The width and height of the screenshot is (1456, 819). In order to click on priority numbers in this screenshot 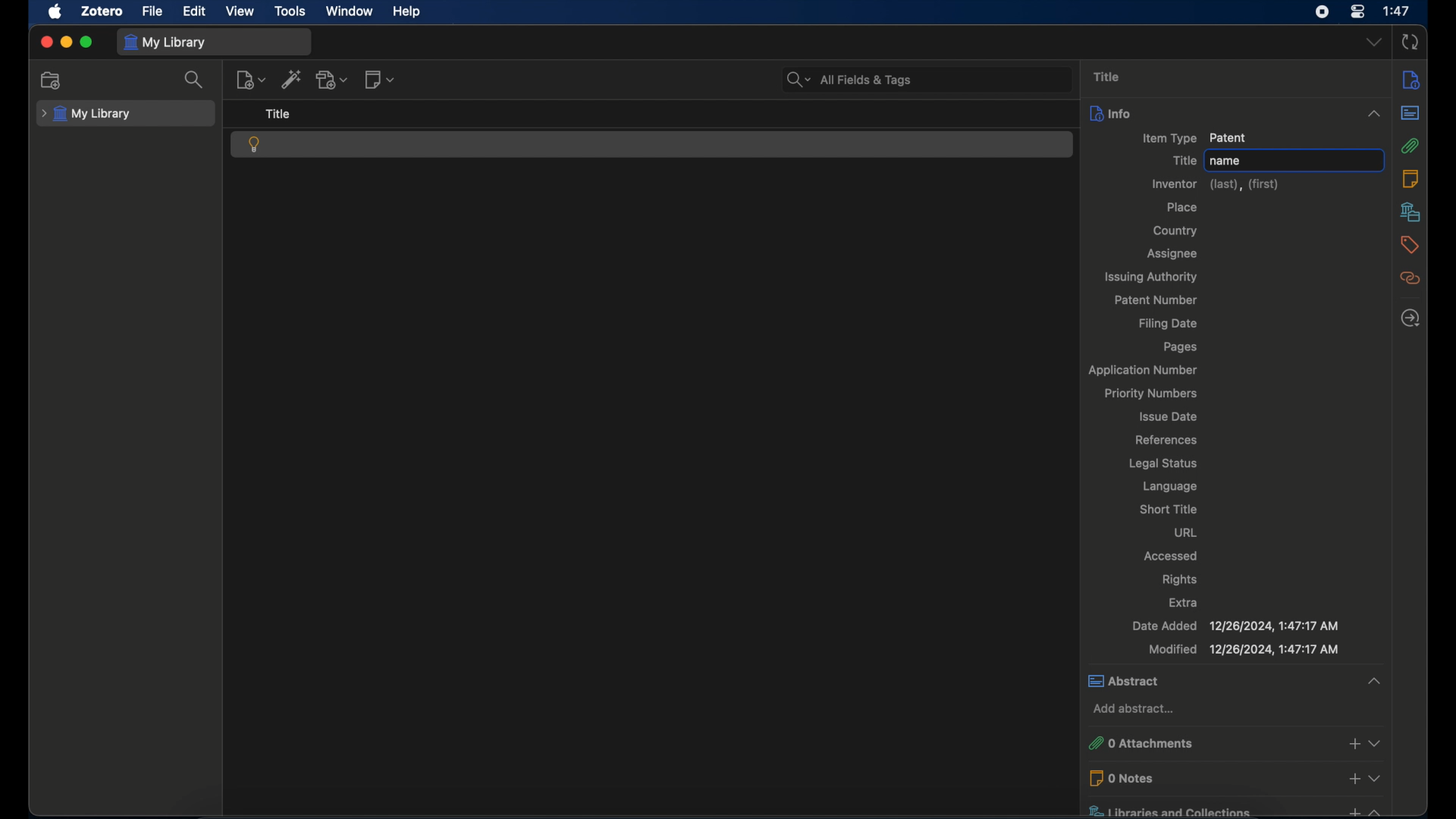, I will do `click(1152, 394)`.